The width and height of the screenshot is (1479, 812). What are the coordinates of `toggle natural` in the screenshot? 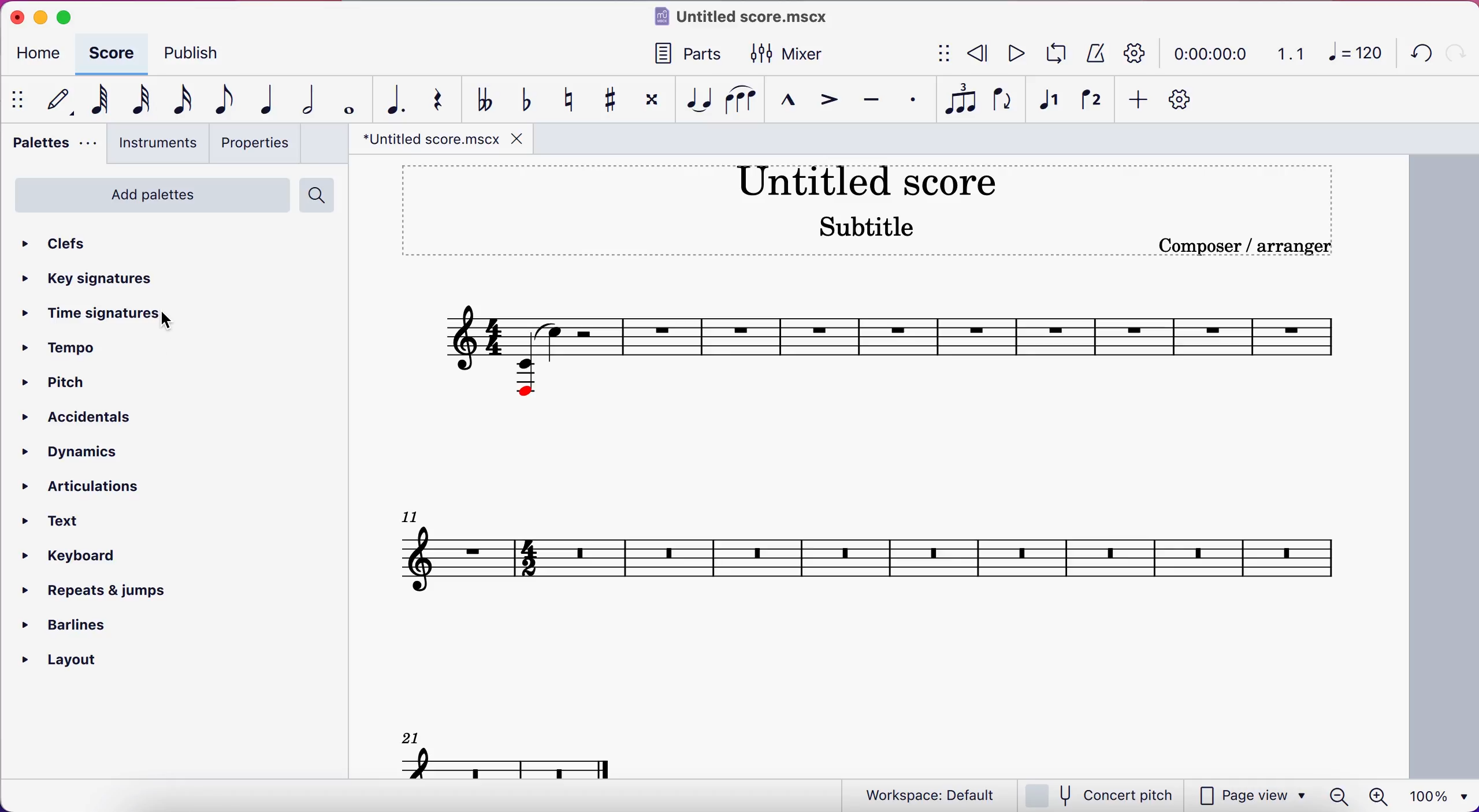 It's located at (564, 98).